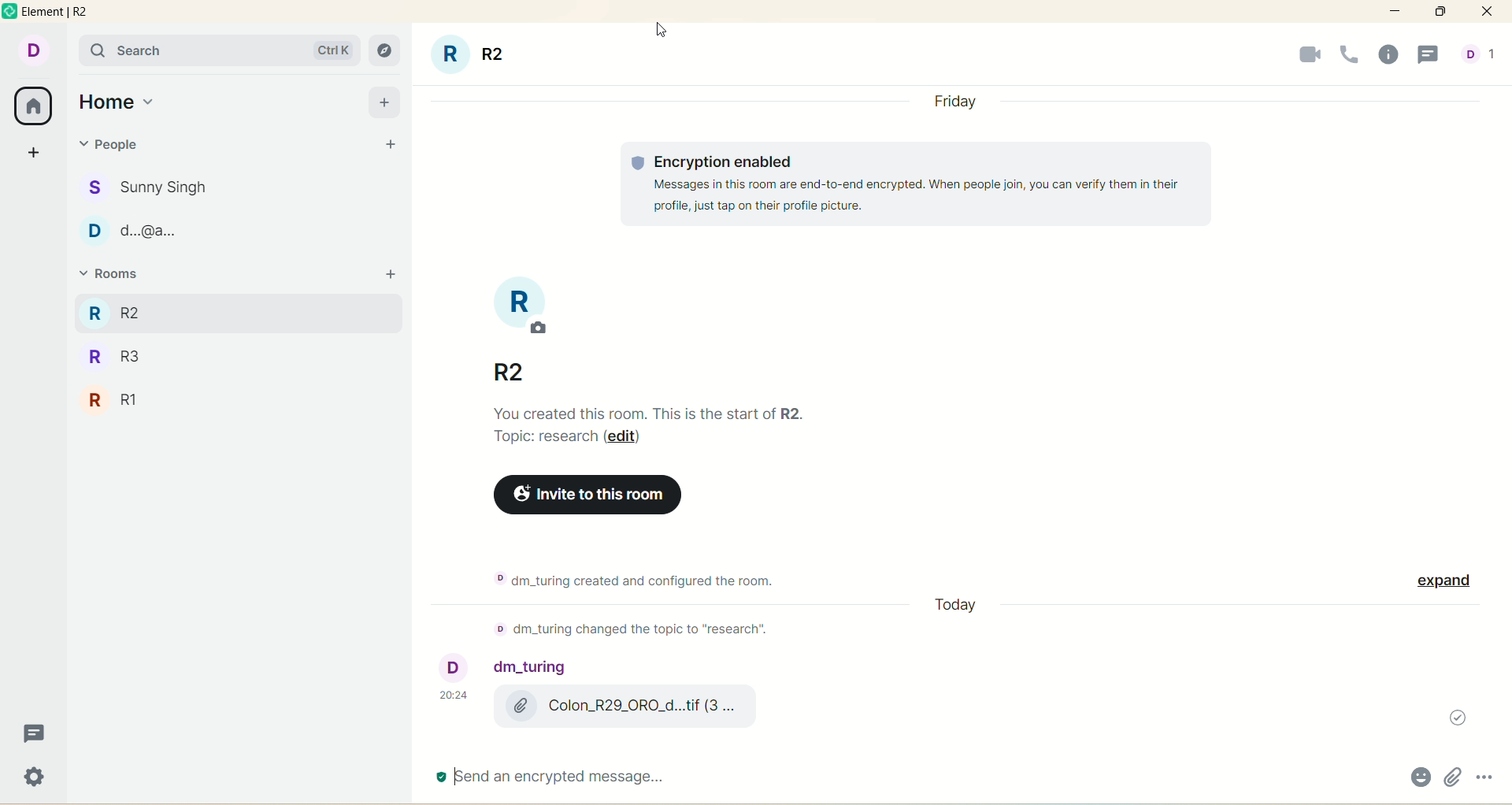 The height and width of the screenshot is (805, 1512). What do you see at coordinates (121, 148) in the screenshot?
I see `people` at bounding box center [121, 148].